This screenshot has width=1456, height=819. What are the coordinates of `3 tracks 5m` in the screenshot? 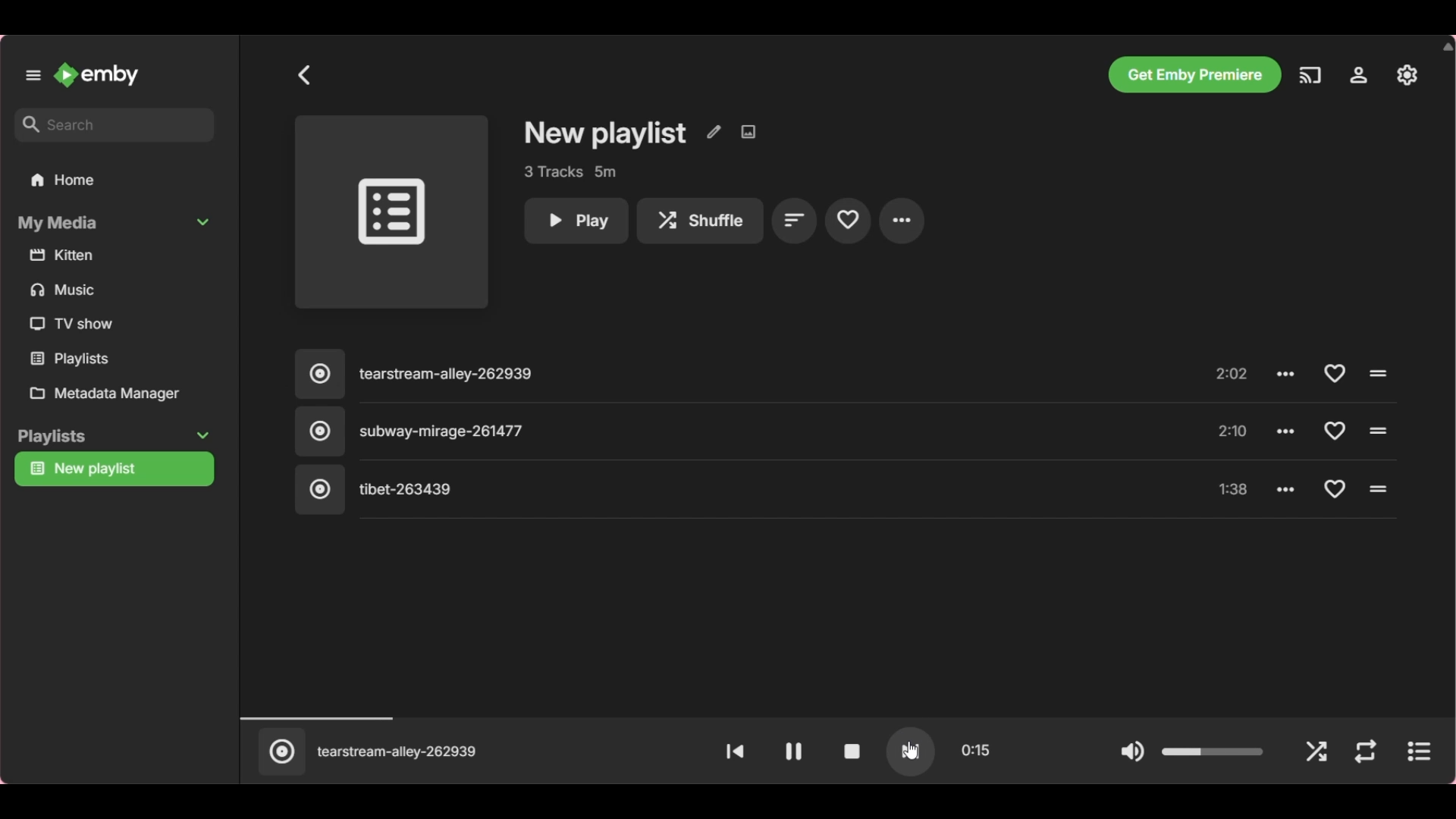 It's located at (570, 171).